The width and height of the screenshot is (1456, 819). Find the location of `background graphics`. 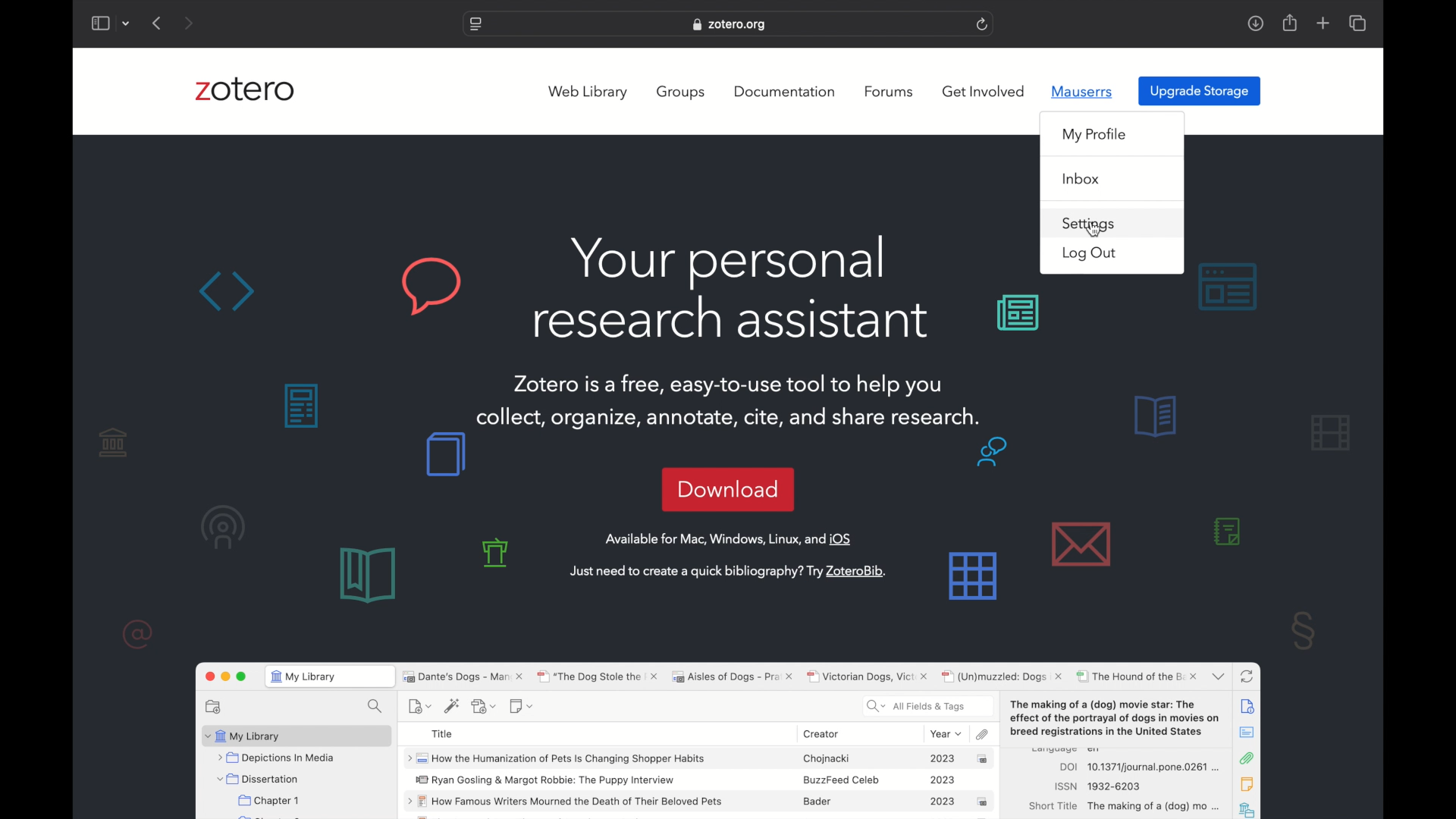

background graphics is located at coordinates (1028, 519).